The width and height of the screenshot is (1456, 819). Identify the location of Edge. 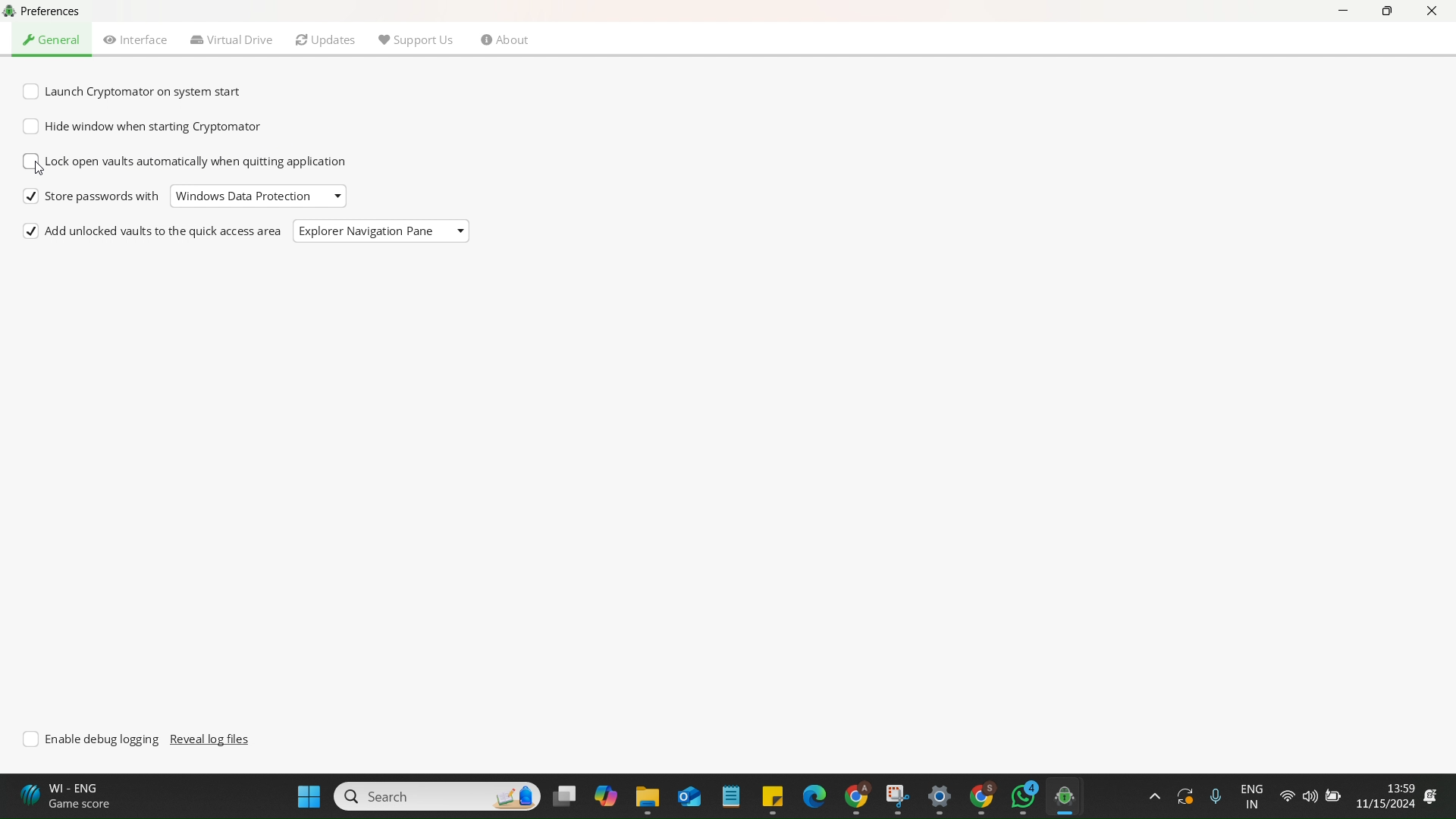
(811, 795).